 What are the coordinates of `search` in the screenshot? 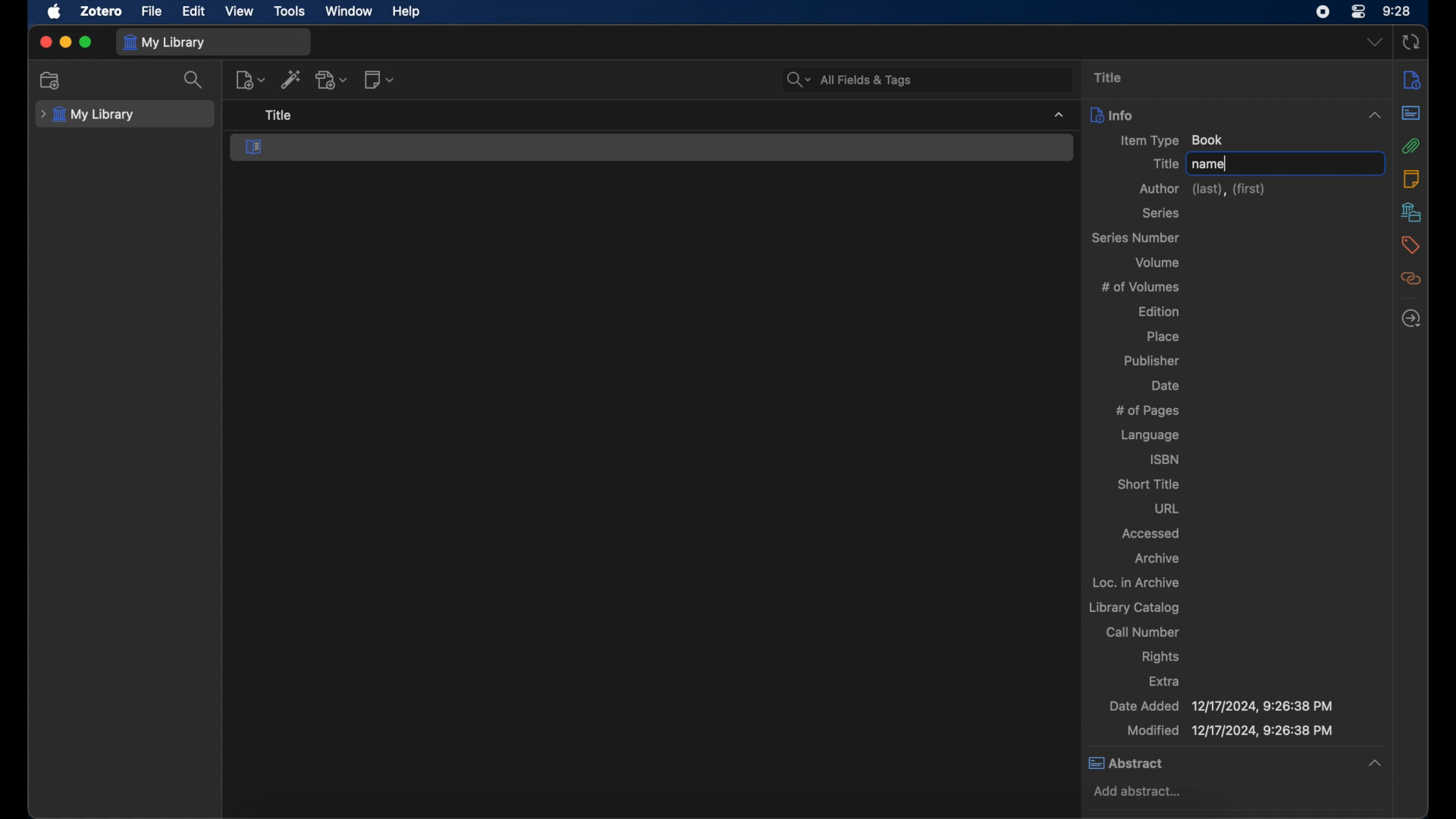 It's located at (196, 79).